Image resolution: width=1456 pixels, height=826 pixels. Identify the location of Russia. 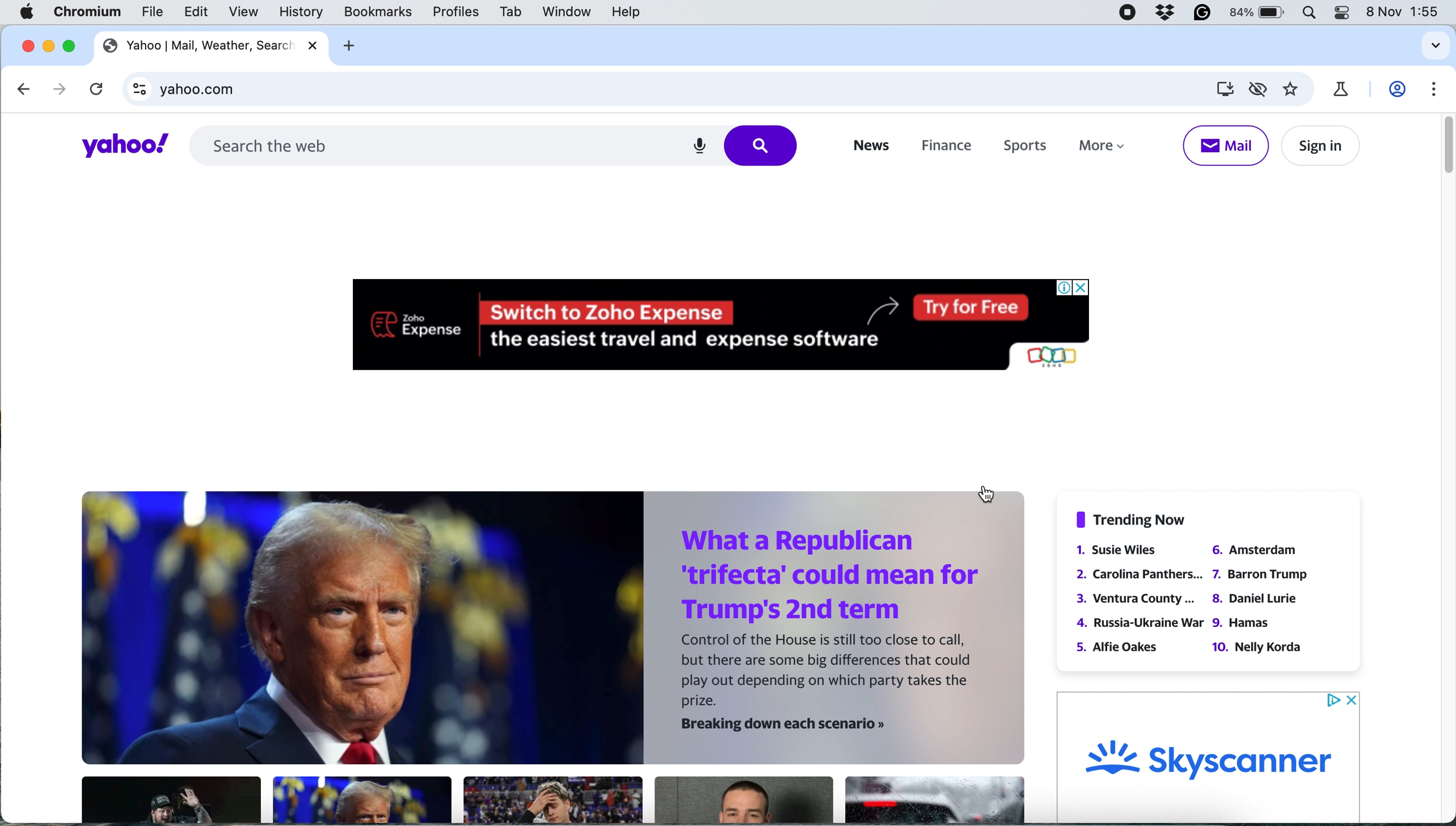
(1139, 622).